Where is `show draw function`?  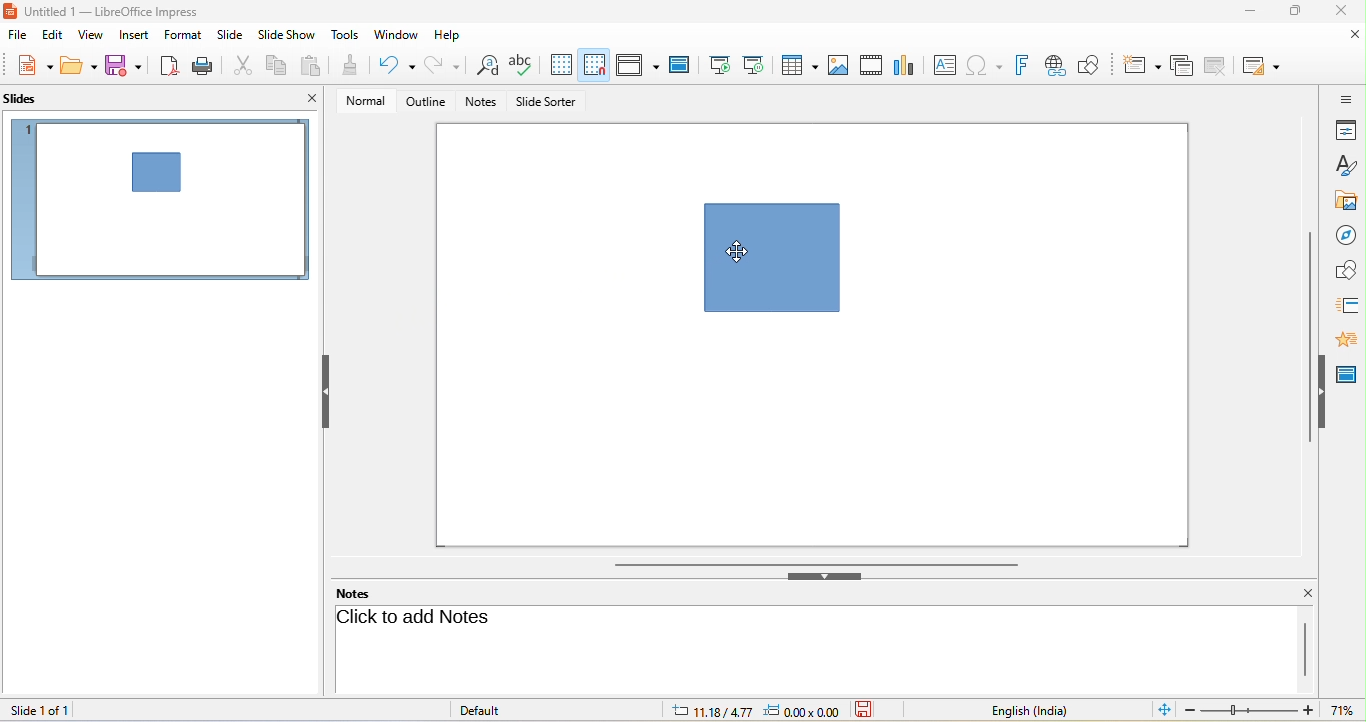
show draw function is located at coordinates (1089, 63).